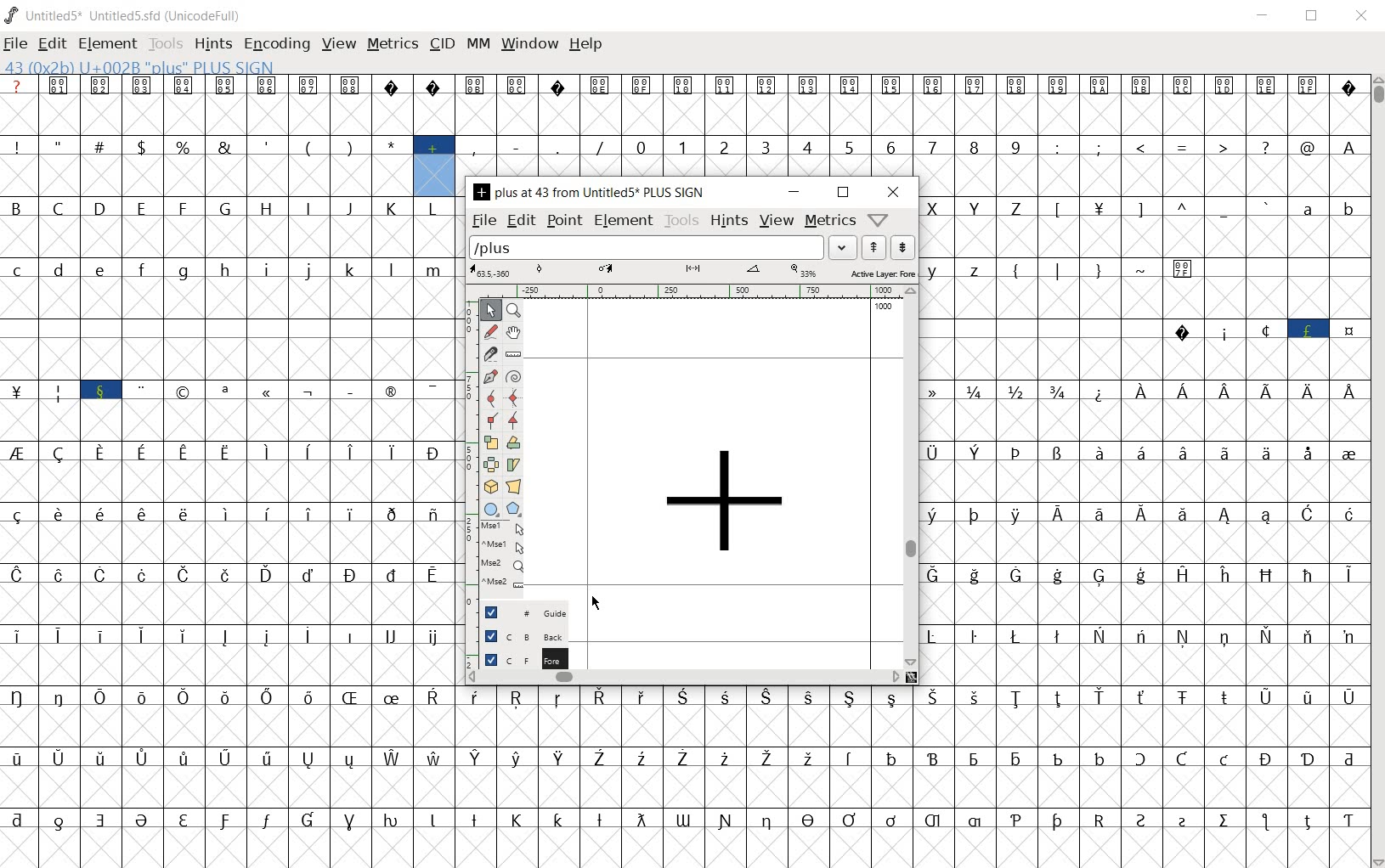 The width and height of the screenshot is (1385, 868). Describe the element at coordinates (777, 222) in the screenshot. I see `view` at that location.